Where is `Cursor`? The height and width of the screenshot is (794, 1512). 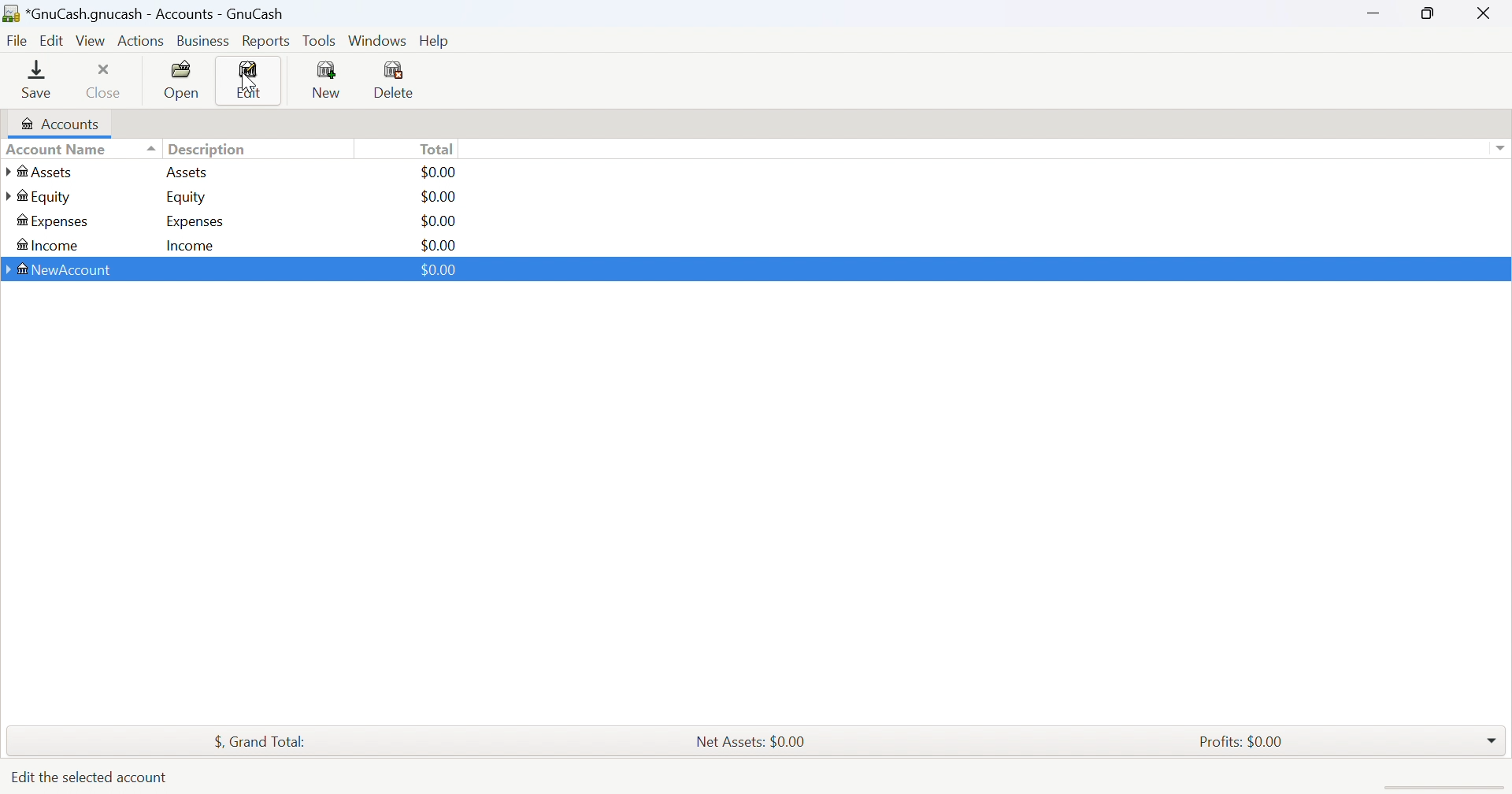
Cursor is located at coordinates (248, 85).